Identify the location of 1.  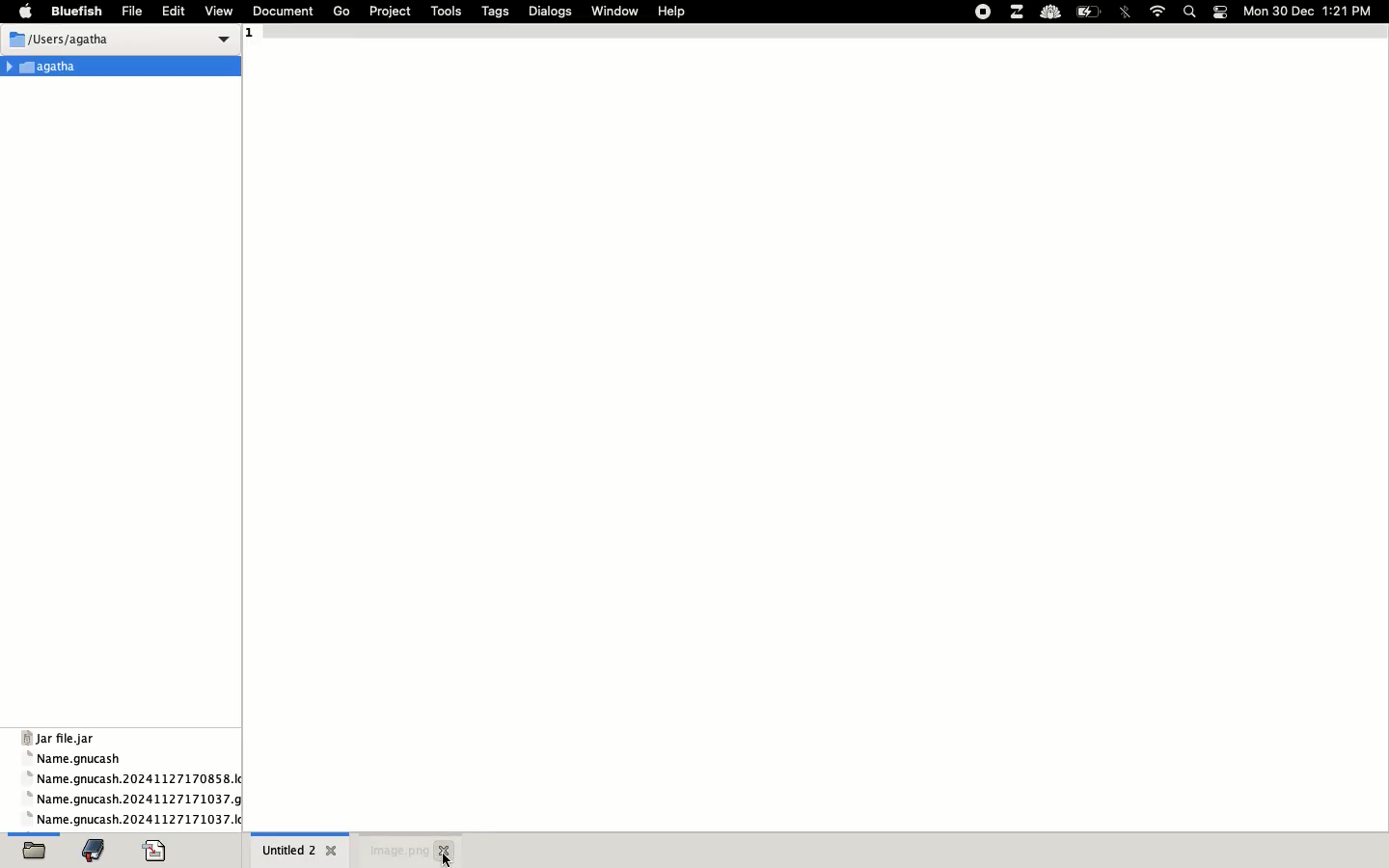
(817, 33).